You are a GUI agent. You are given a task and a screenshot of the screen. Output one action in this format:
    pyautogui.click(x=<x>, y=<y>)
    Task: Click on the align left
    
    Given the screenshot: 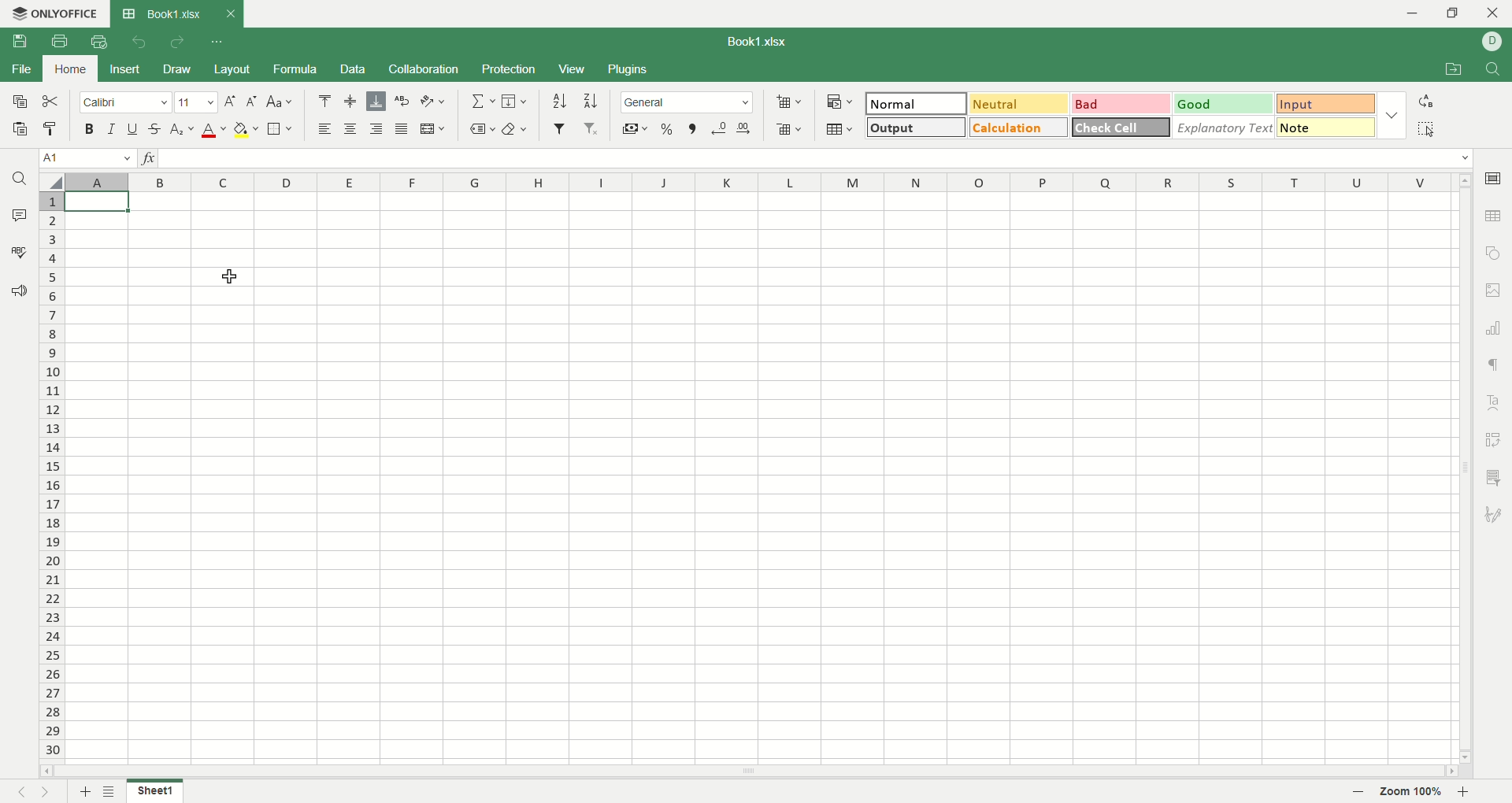 What is the action you would take?
    pyautogui.click(x=328, y=130)
    